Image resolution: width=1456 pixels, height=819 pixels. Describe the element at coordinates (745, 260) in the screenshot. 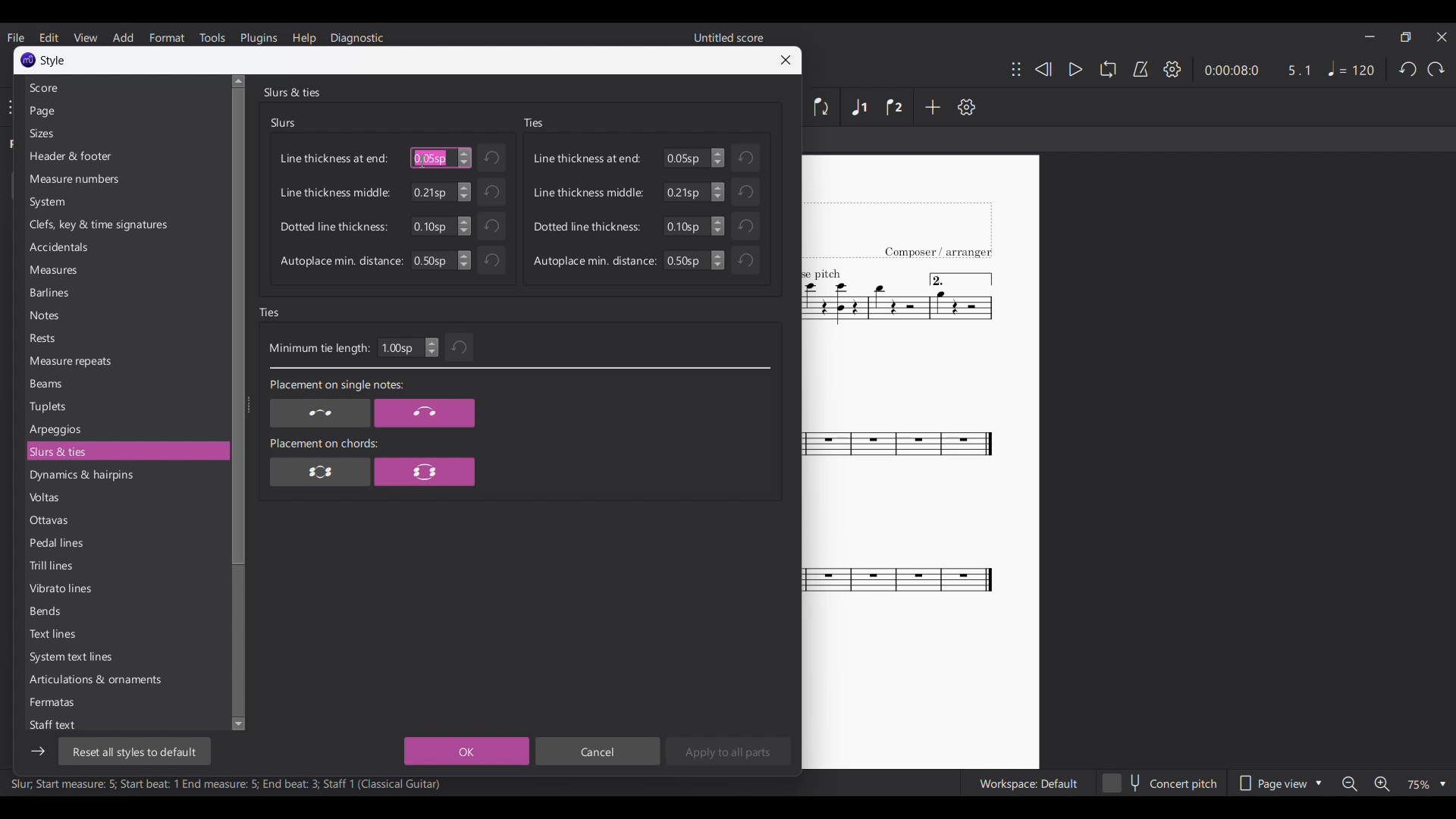

I see `Undo` at that location.